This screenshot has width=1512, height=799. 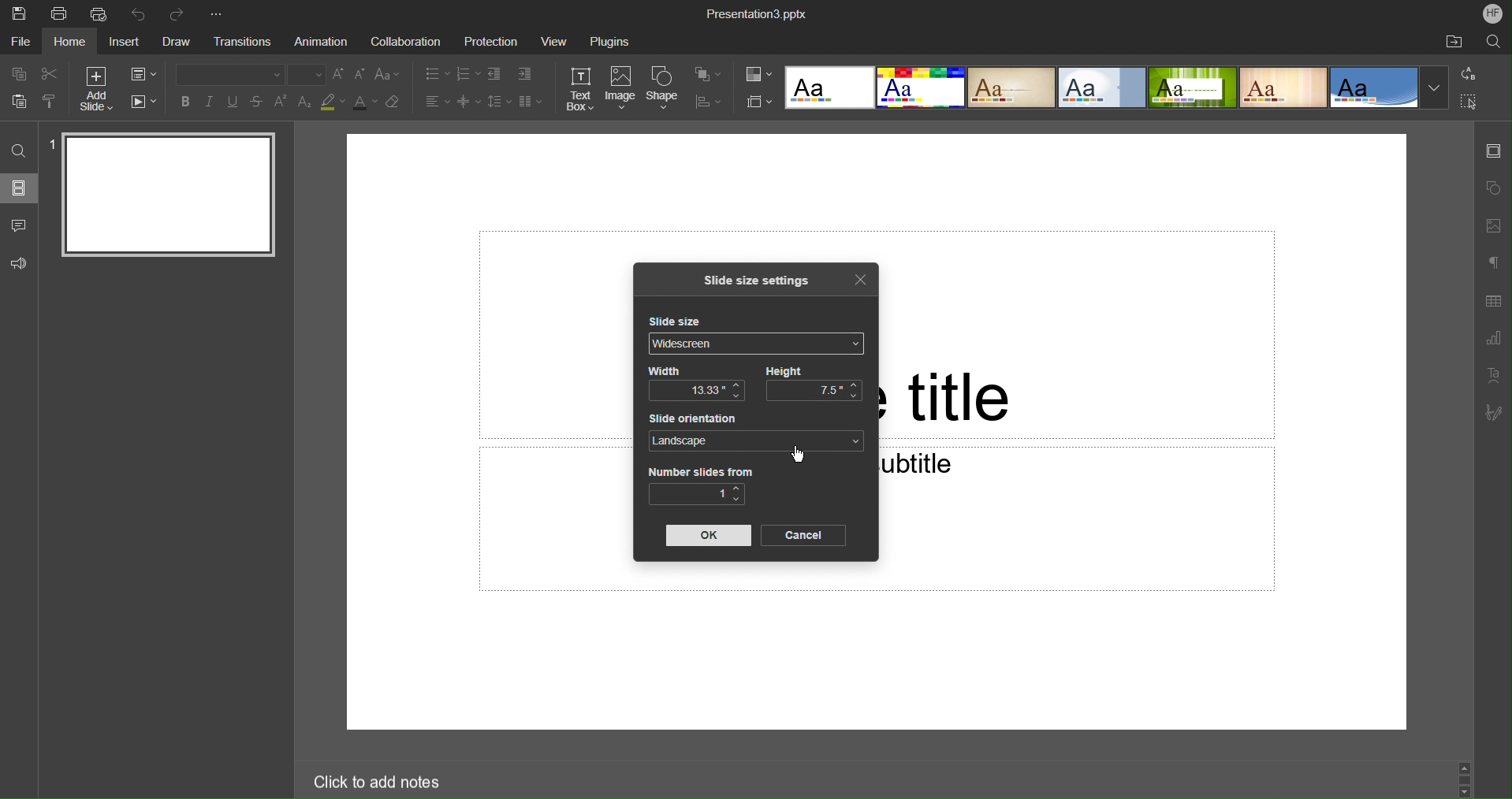 What do you see at coordinates (698, 418) in the screenshot?
I see `Slide orientation` at bounding box center [698, 418].